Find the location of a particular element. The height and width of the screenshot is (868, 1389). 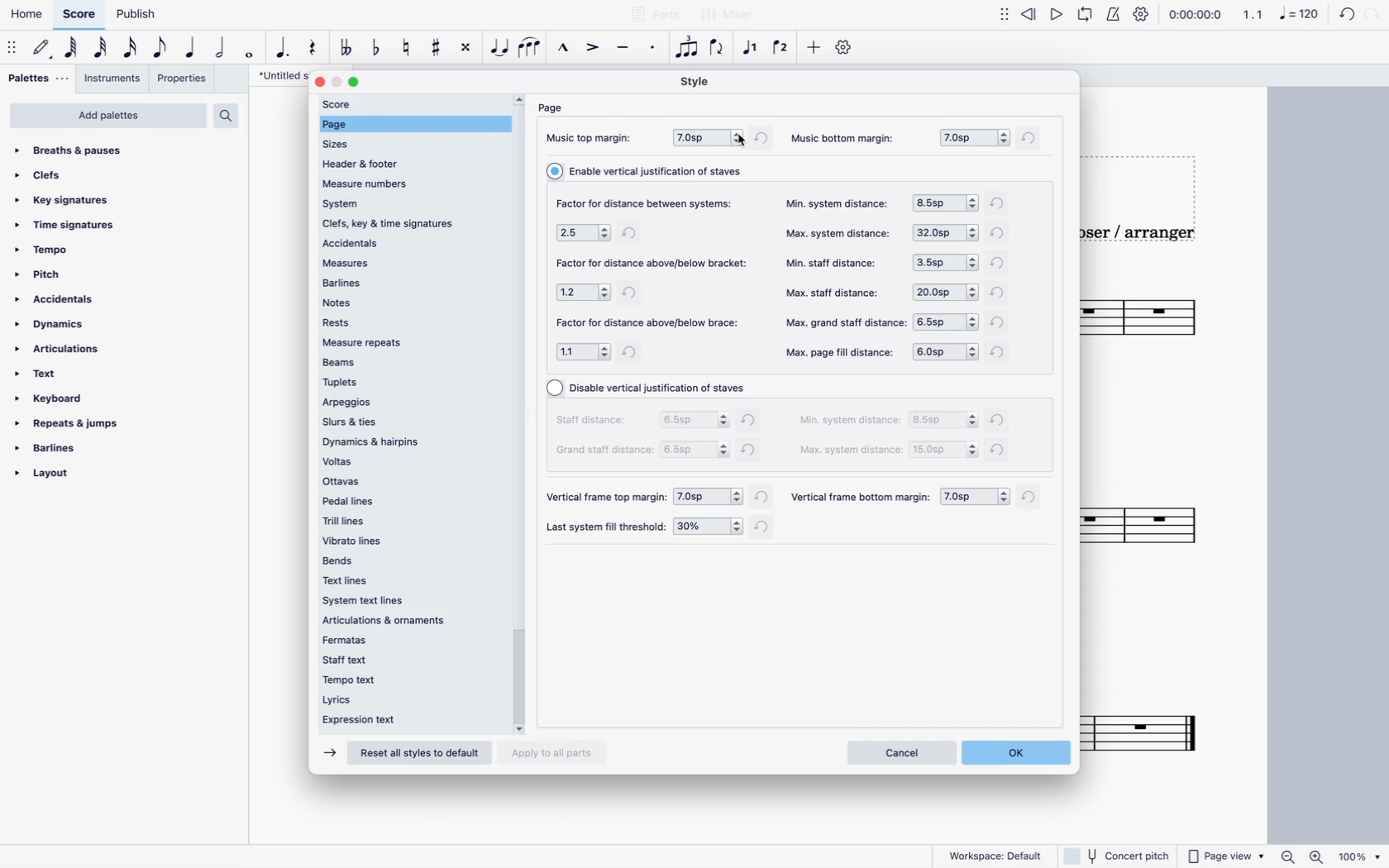

toggle flat is located at coordinates (375, 49).